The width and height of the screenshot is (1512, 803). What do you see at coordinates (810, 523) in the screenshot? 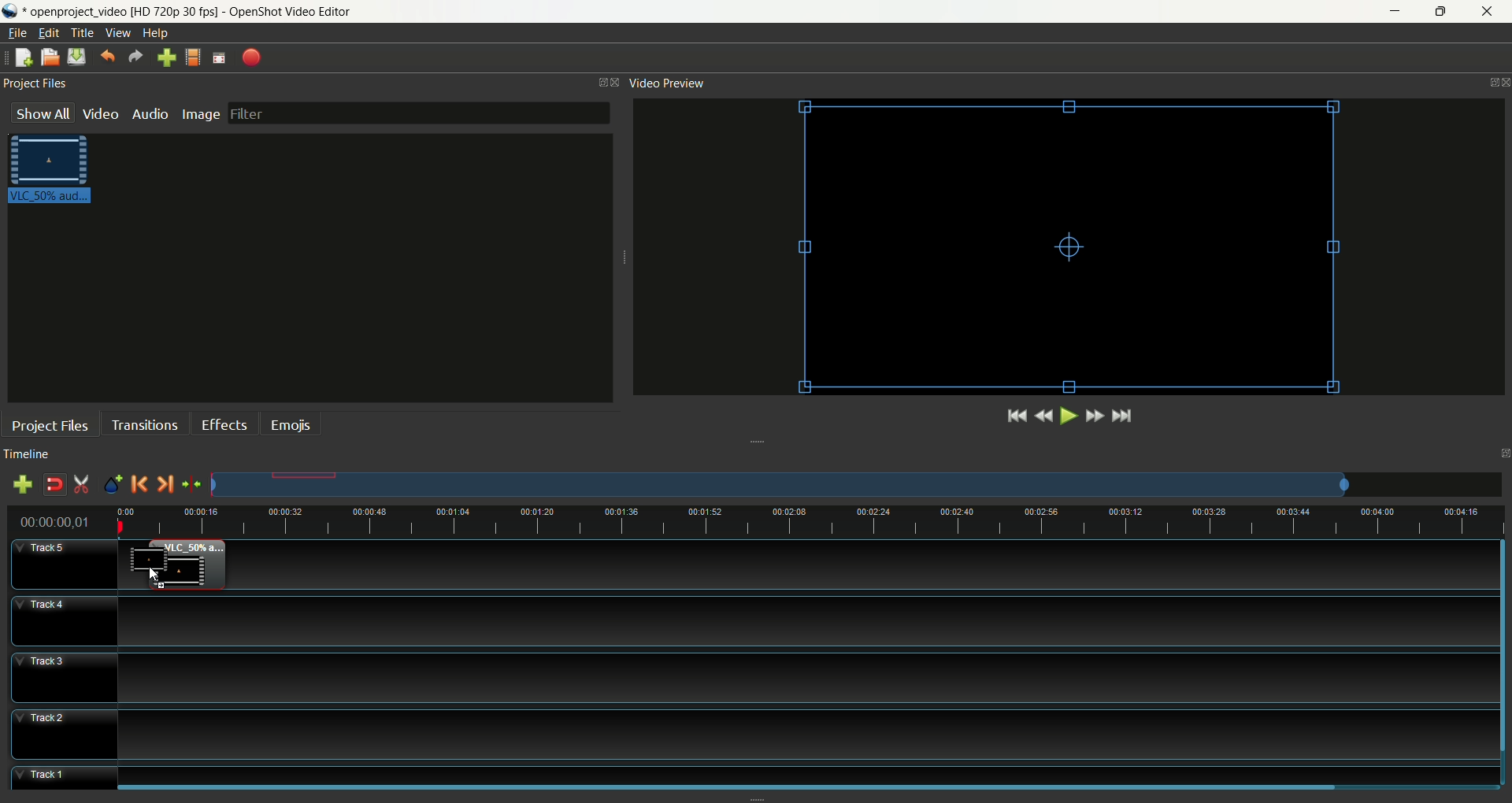
I see `Timeline` at bounding box center [810, 523].